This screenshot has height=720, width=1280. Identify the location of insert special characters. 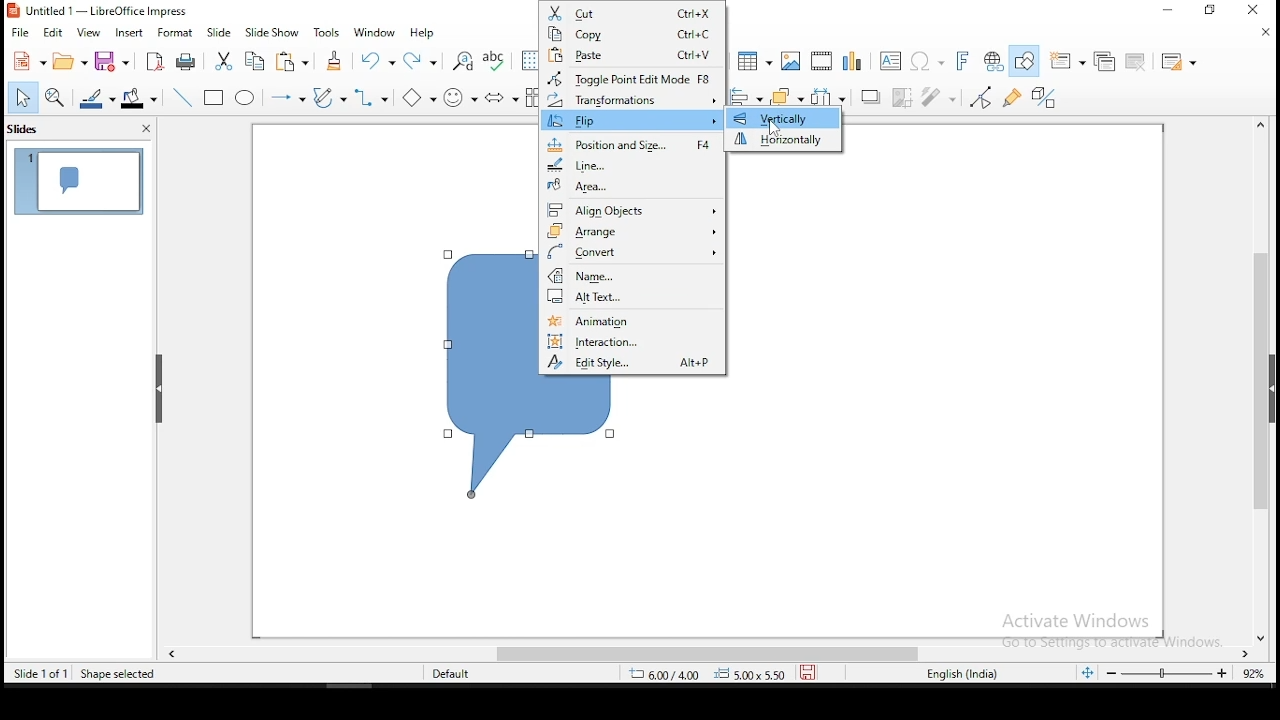
(927, 60).